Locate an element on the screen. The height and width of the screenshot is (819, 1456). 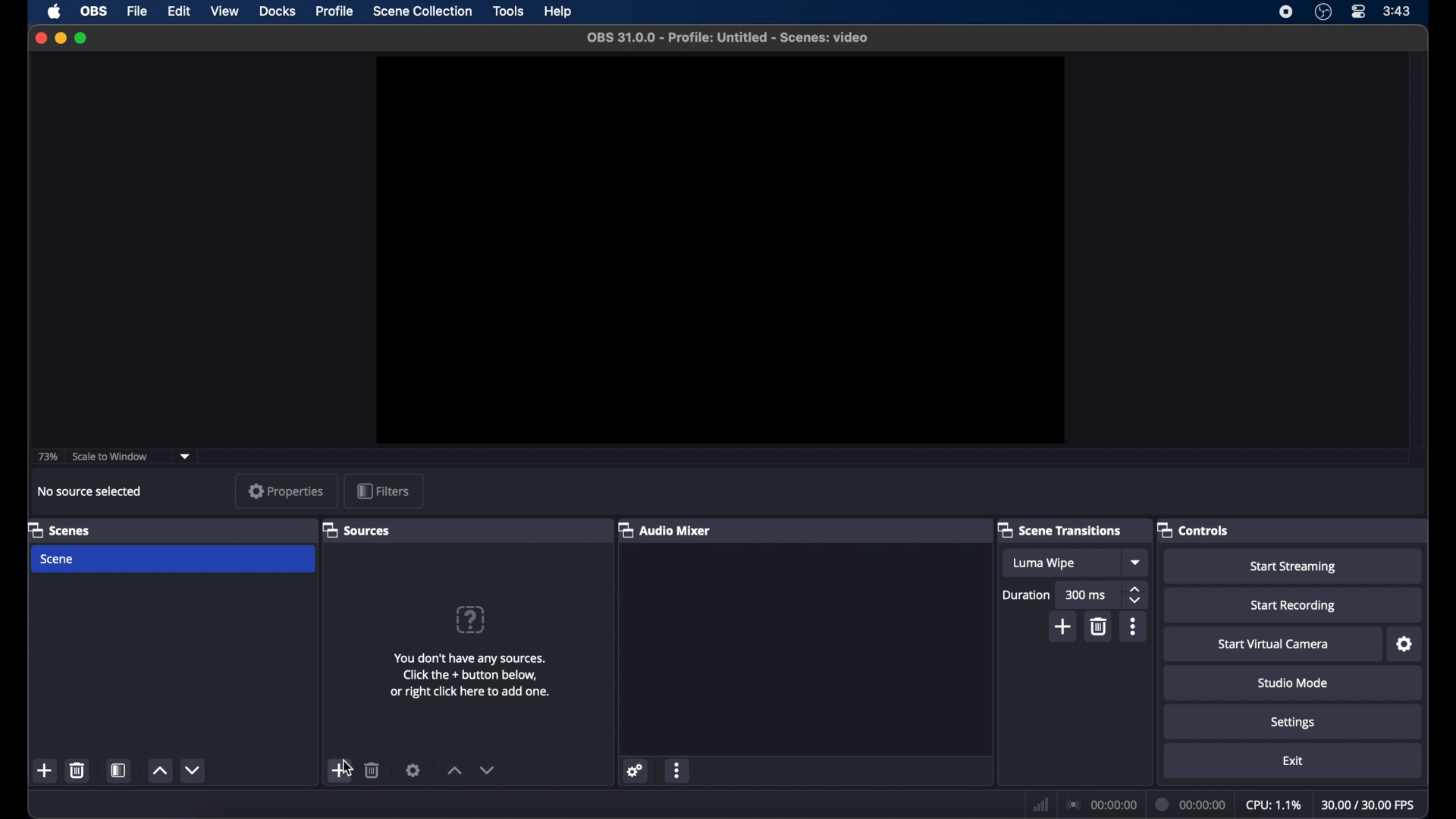
OBS 31.0.0 - Profile: Untitled - Scenes: video is located at coordinates (726, 38).